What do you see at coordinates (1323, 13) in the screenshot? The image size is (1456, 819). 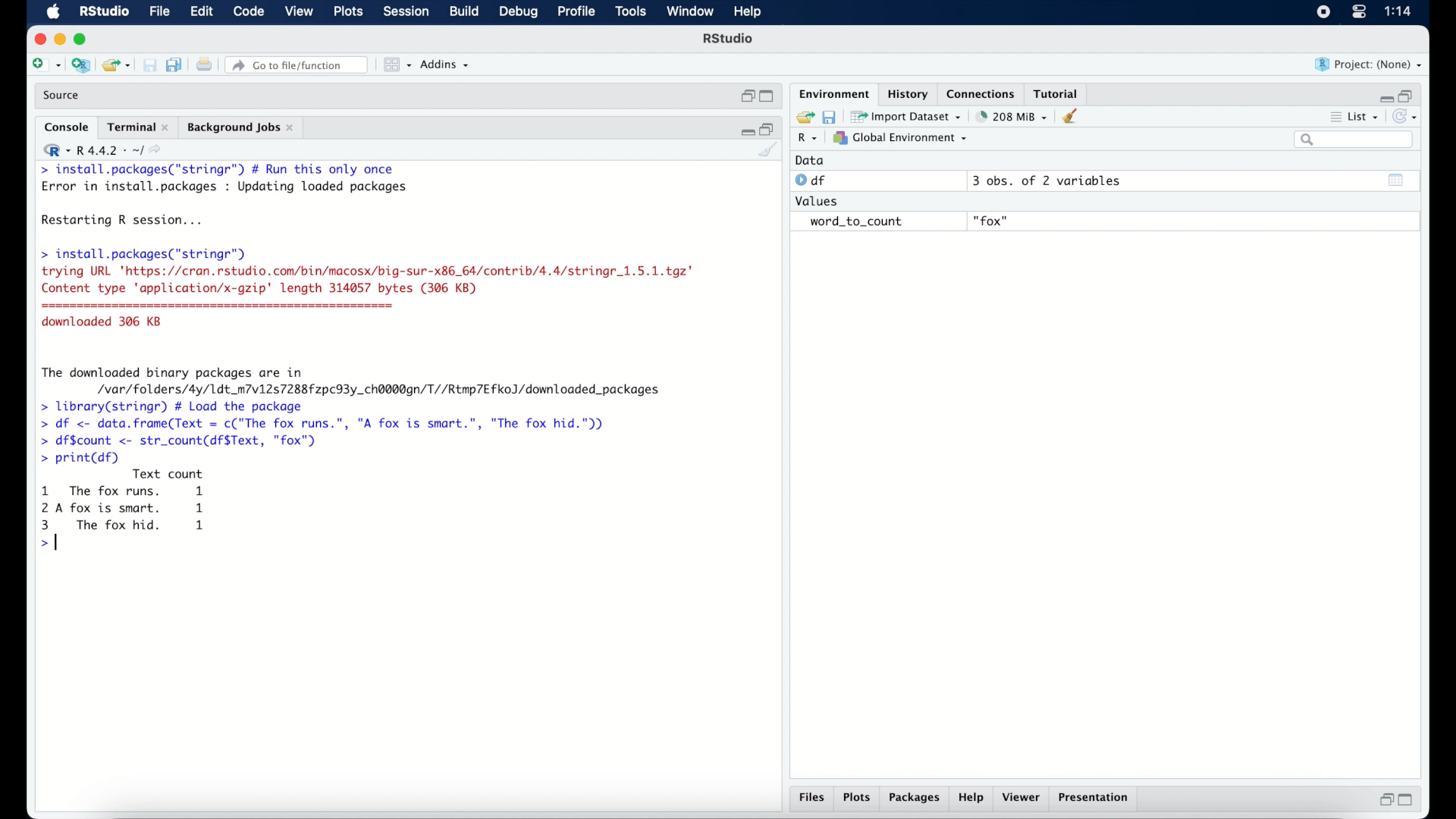 I see `screen recorder` at bounding box center [1323, 13].